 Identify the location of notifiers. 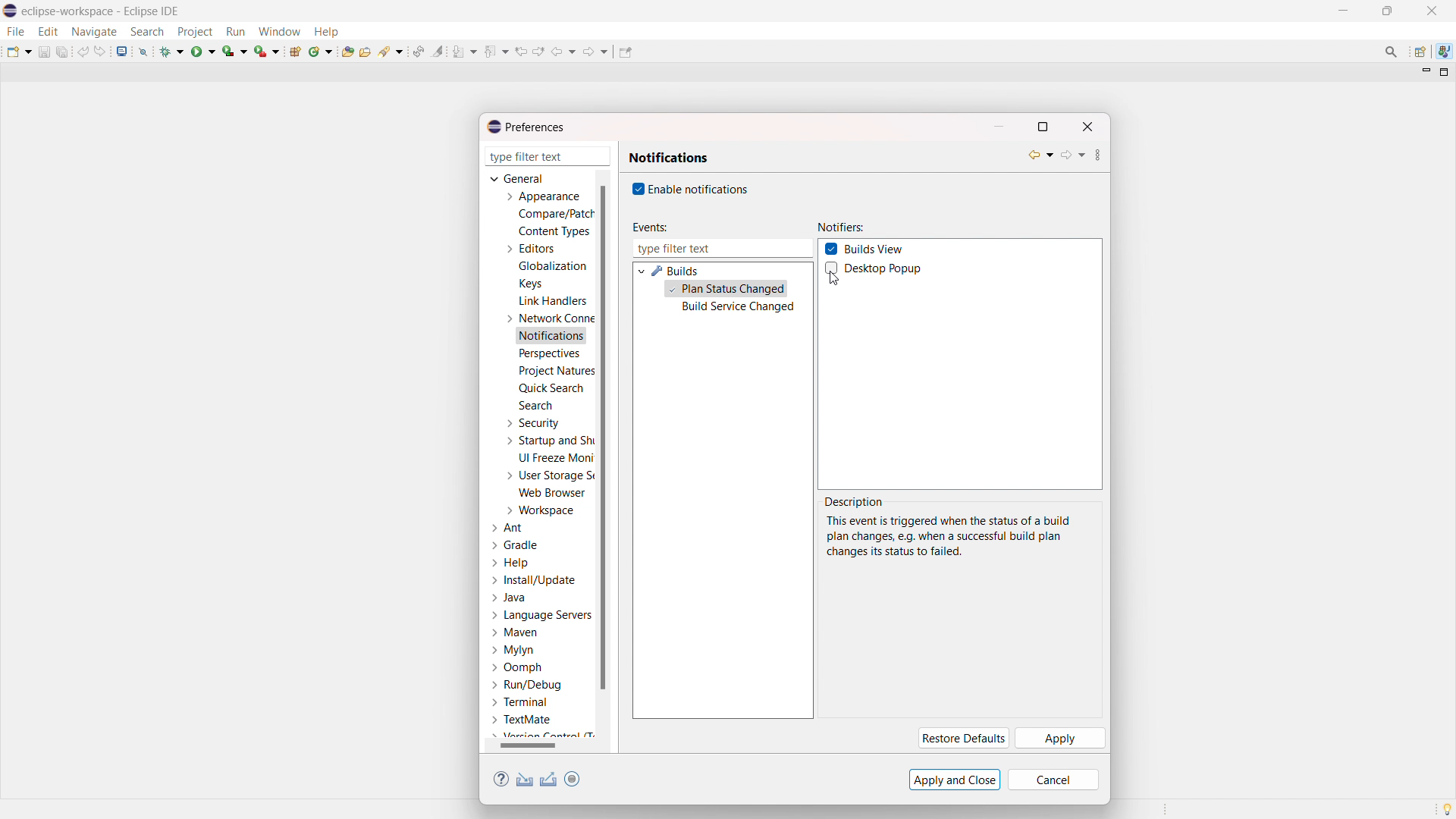
(841, 227).